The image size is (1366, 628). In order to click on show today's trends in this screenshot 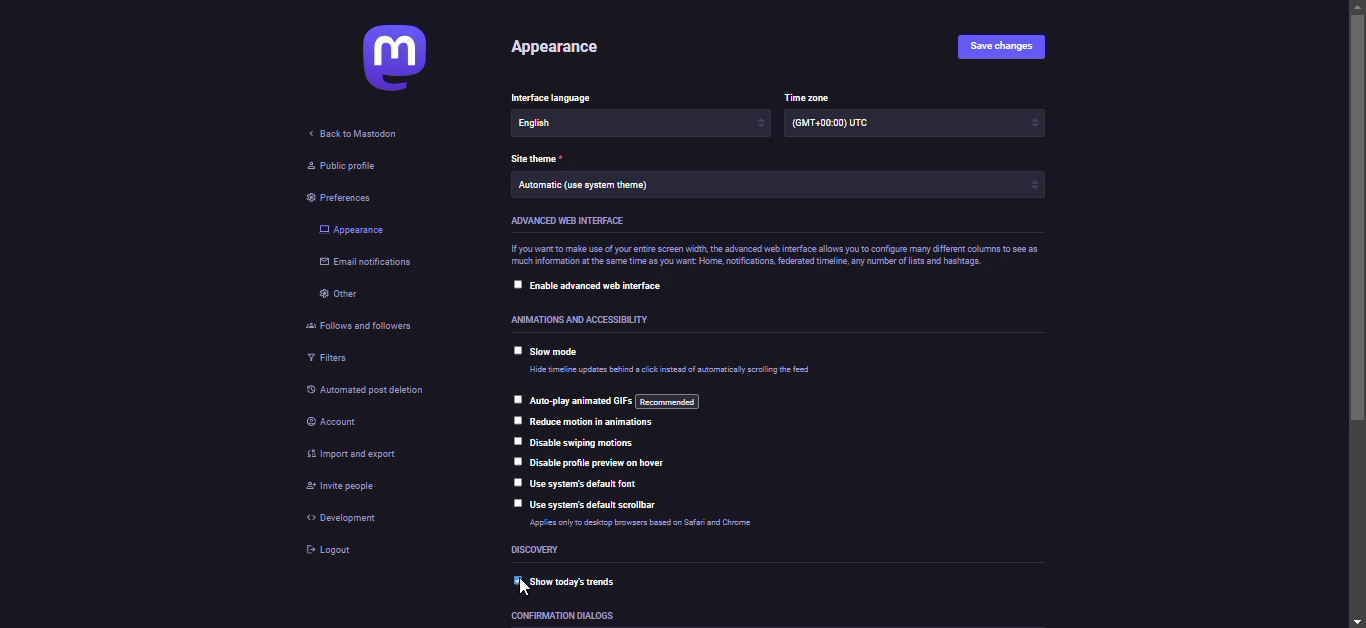, I will do `click(588, 580)`.